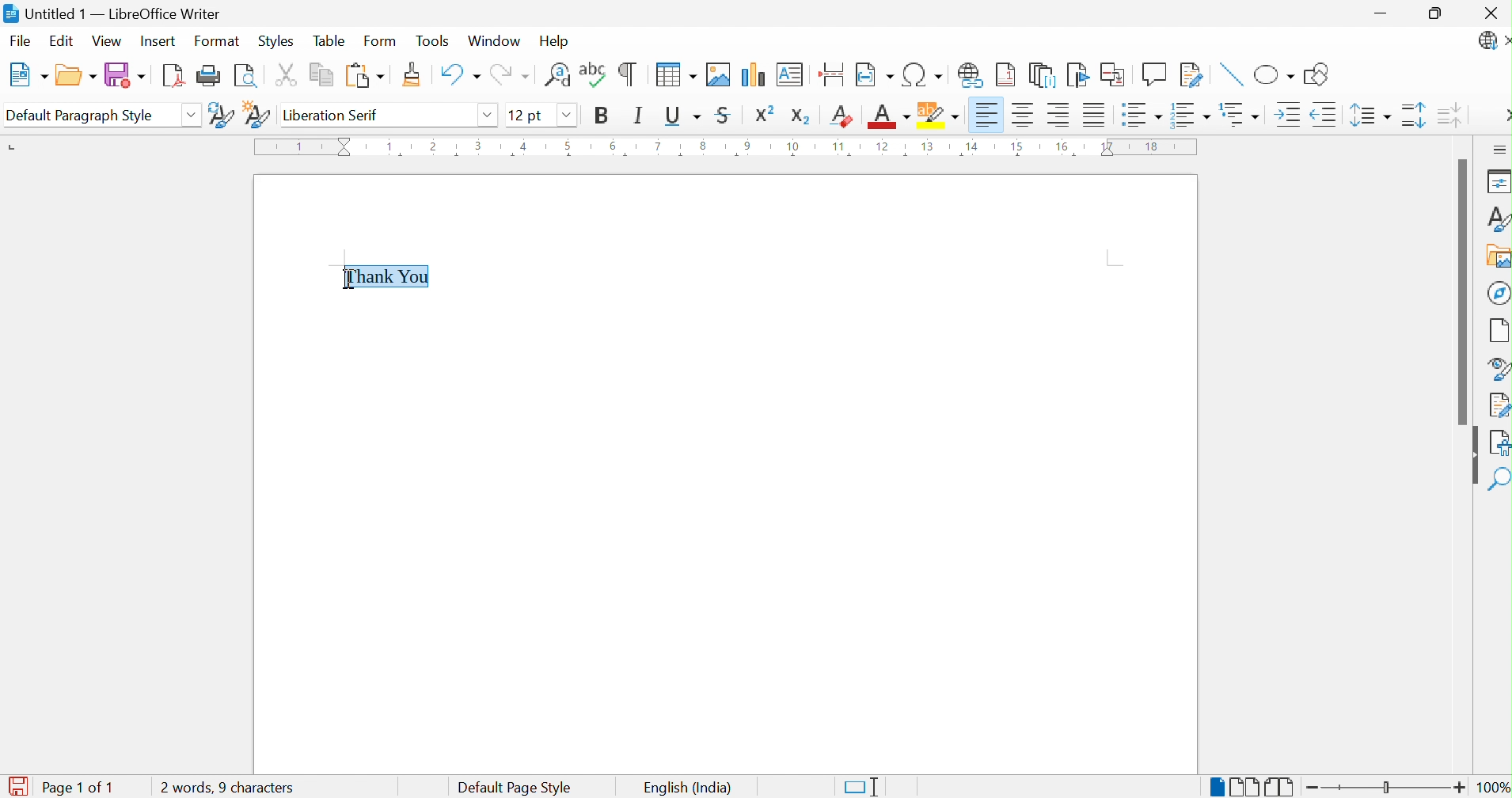 The height and width of the screenshot is (798, 1512). Describe the element at coordinates (1155, 74) in the screenshot. I see `Insert Comment` at that location.